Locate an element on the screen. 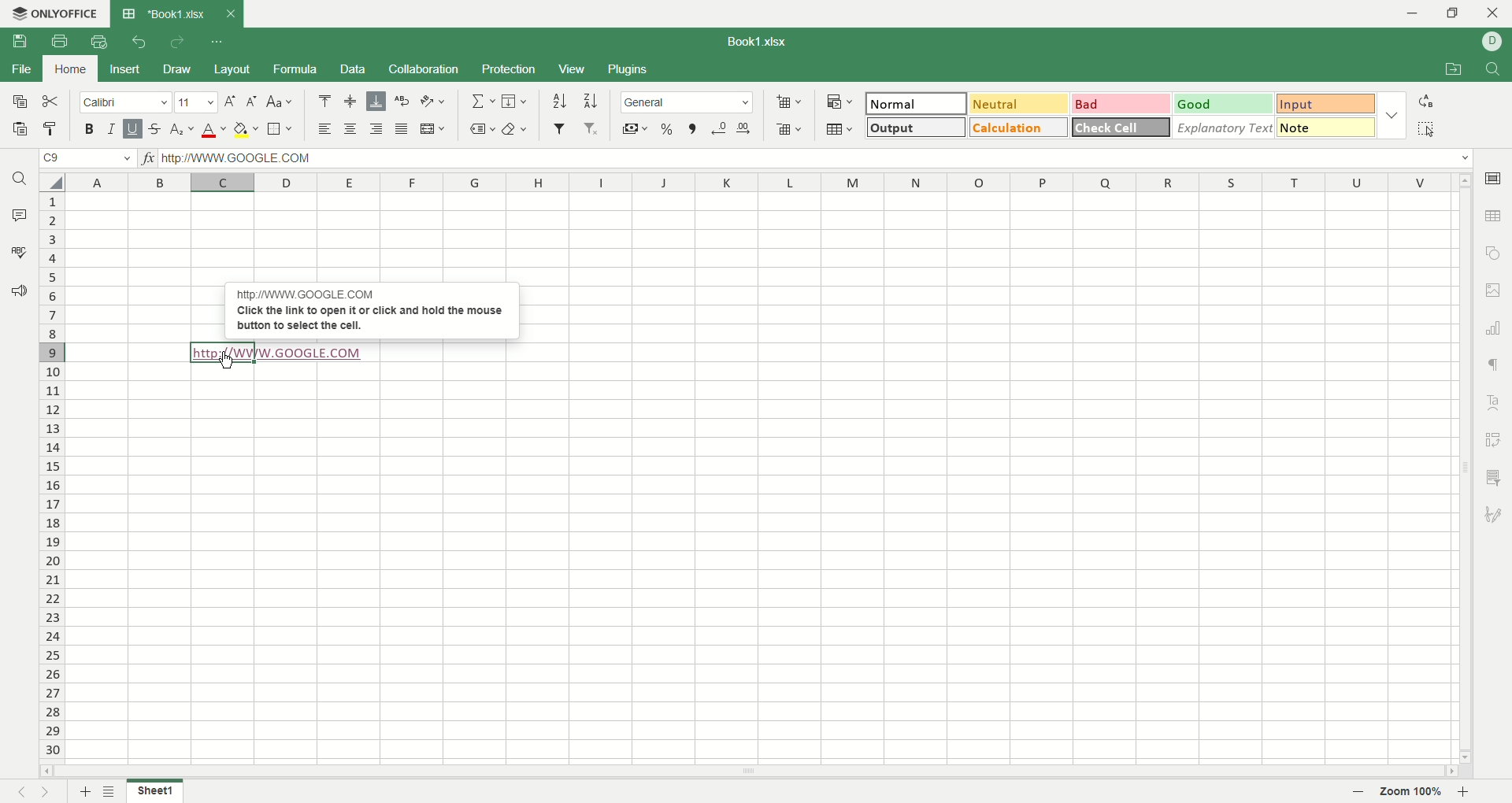 Image resolution: width=1512 pixels, height=803 pixels. explanatory text  is located at coordinates (1225, 128).